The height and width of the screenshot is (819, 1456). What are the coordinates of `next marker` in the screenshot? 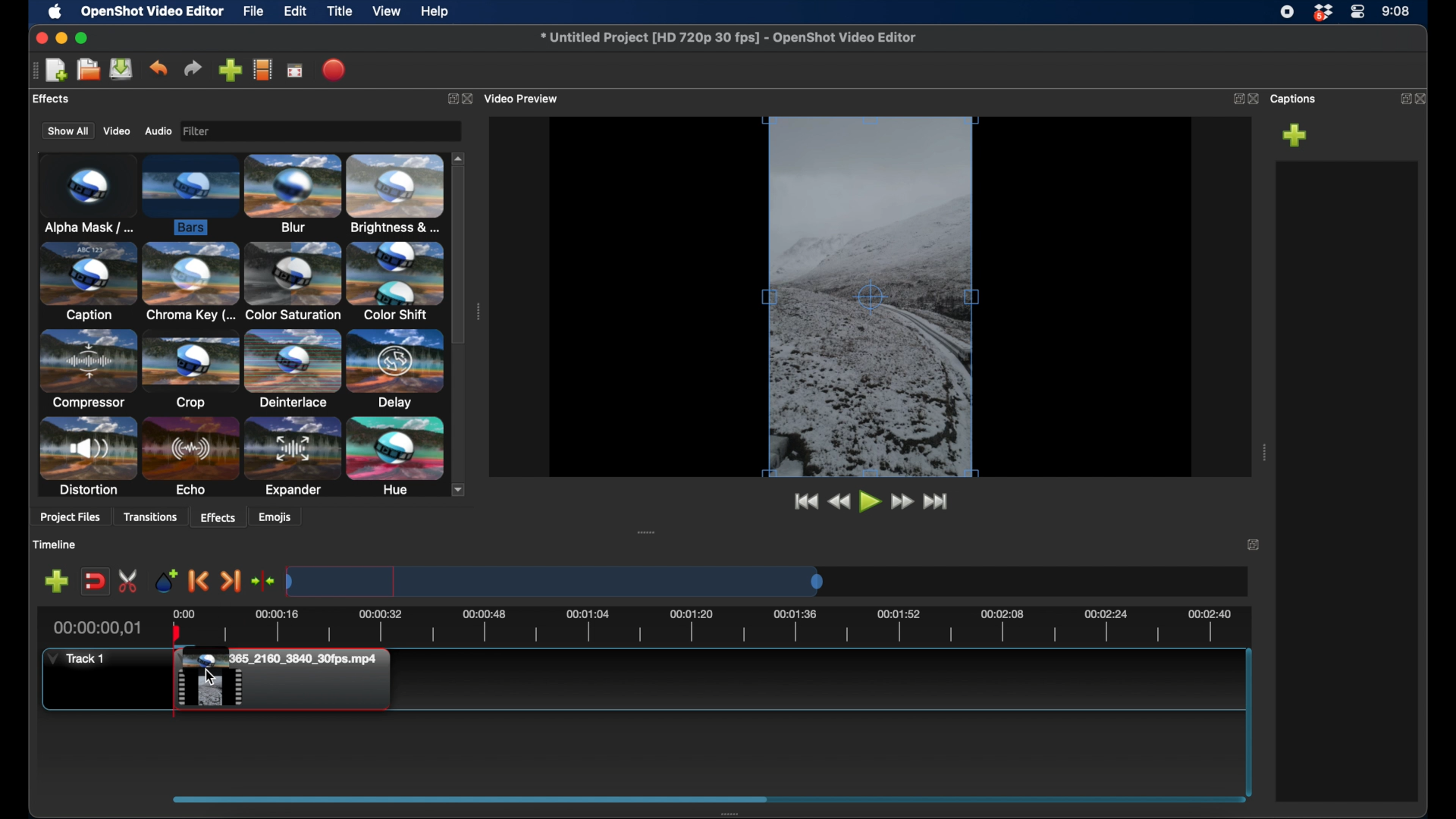 It's located at (231, 581).